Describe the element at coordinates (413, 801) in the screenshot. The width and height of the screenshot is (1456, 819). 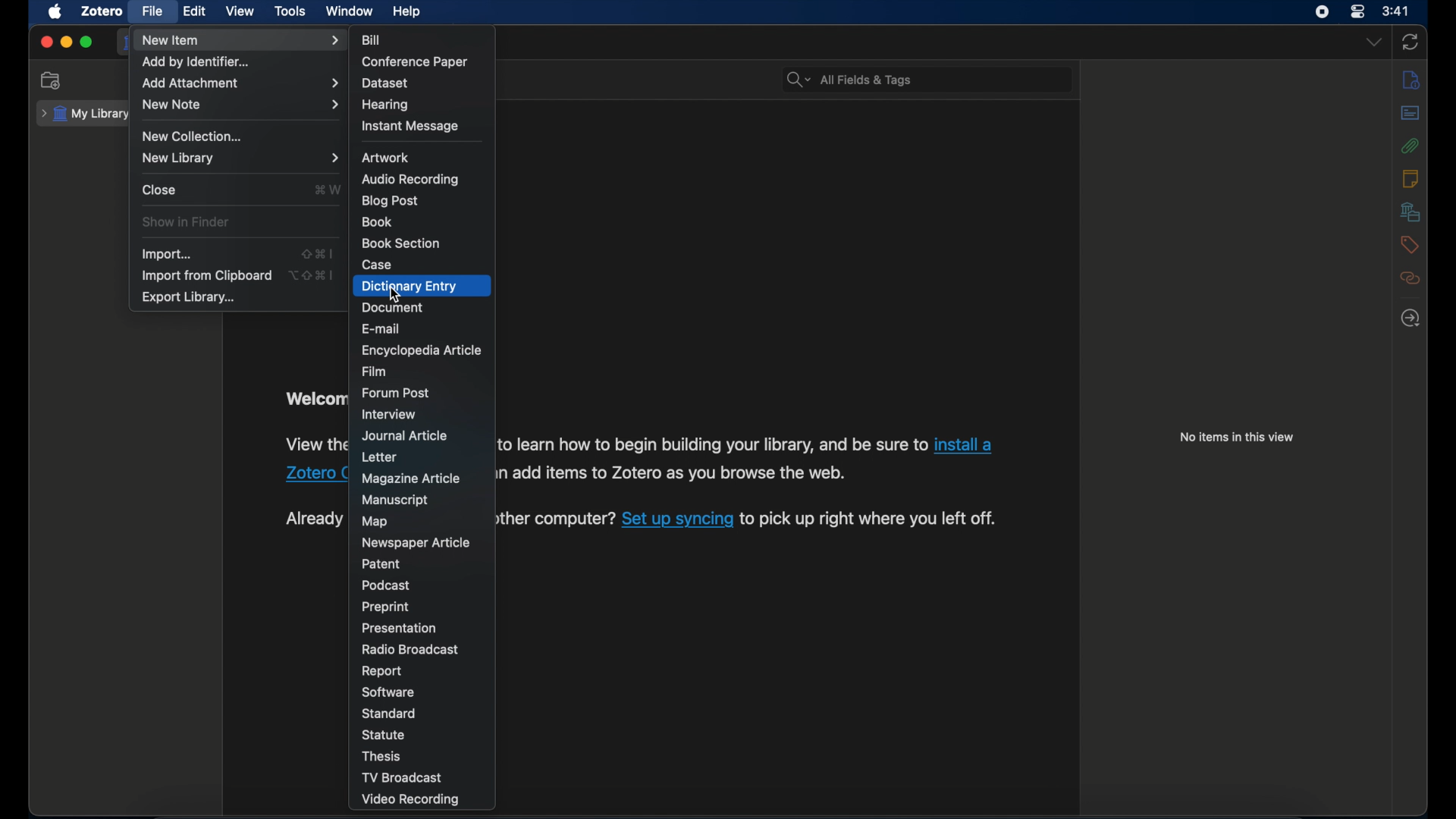
I see `video recording` at that location.